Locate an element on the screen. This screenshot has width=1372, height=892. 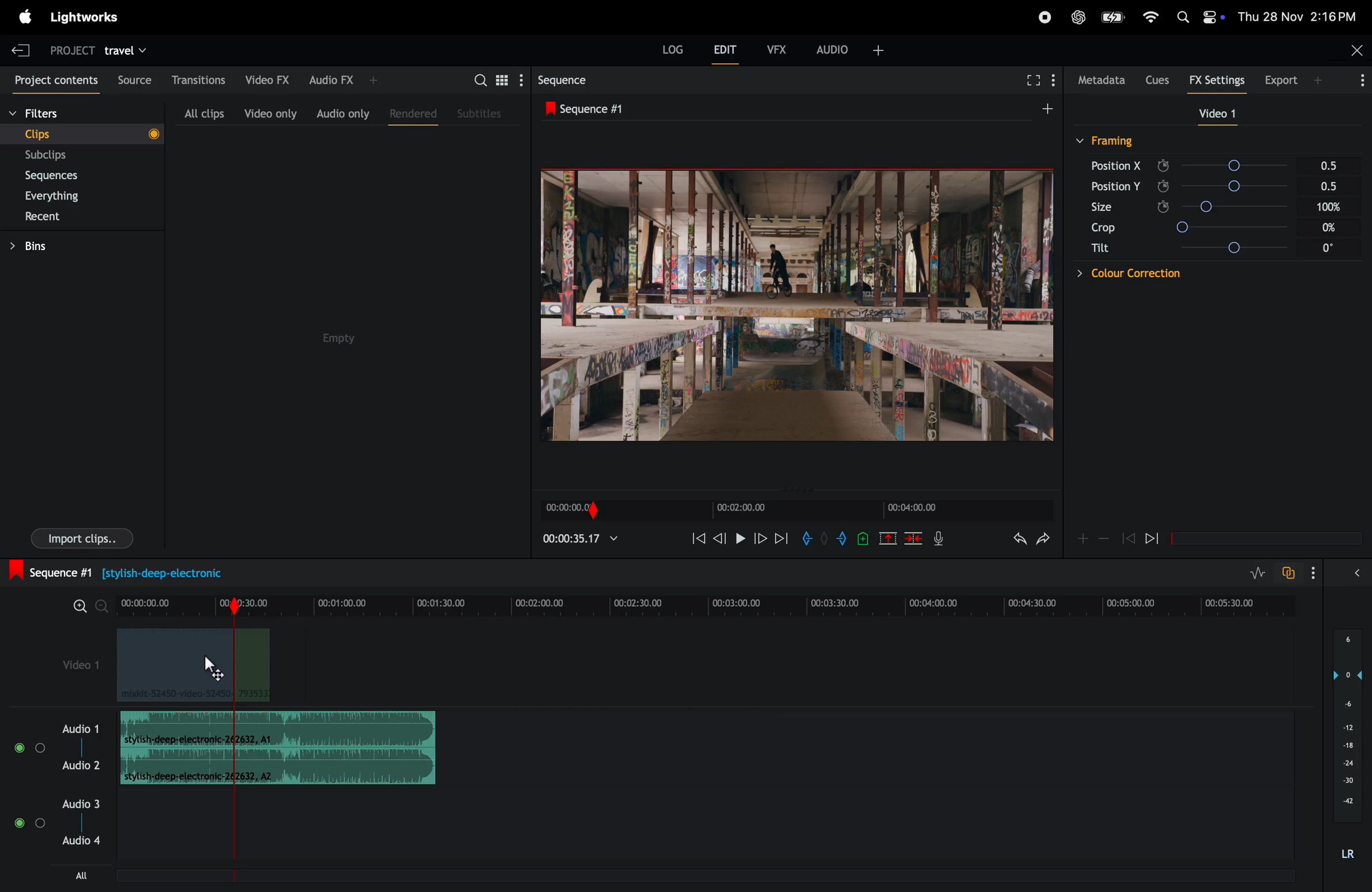
source is located at coordinates (131, 80).